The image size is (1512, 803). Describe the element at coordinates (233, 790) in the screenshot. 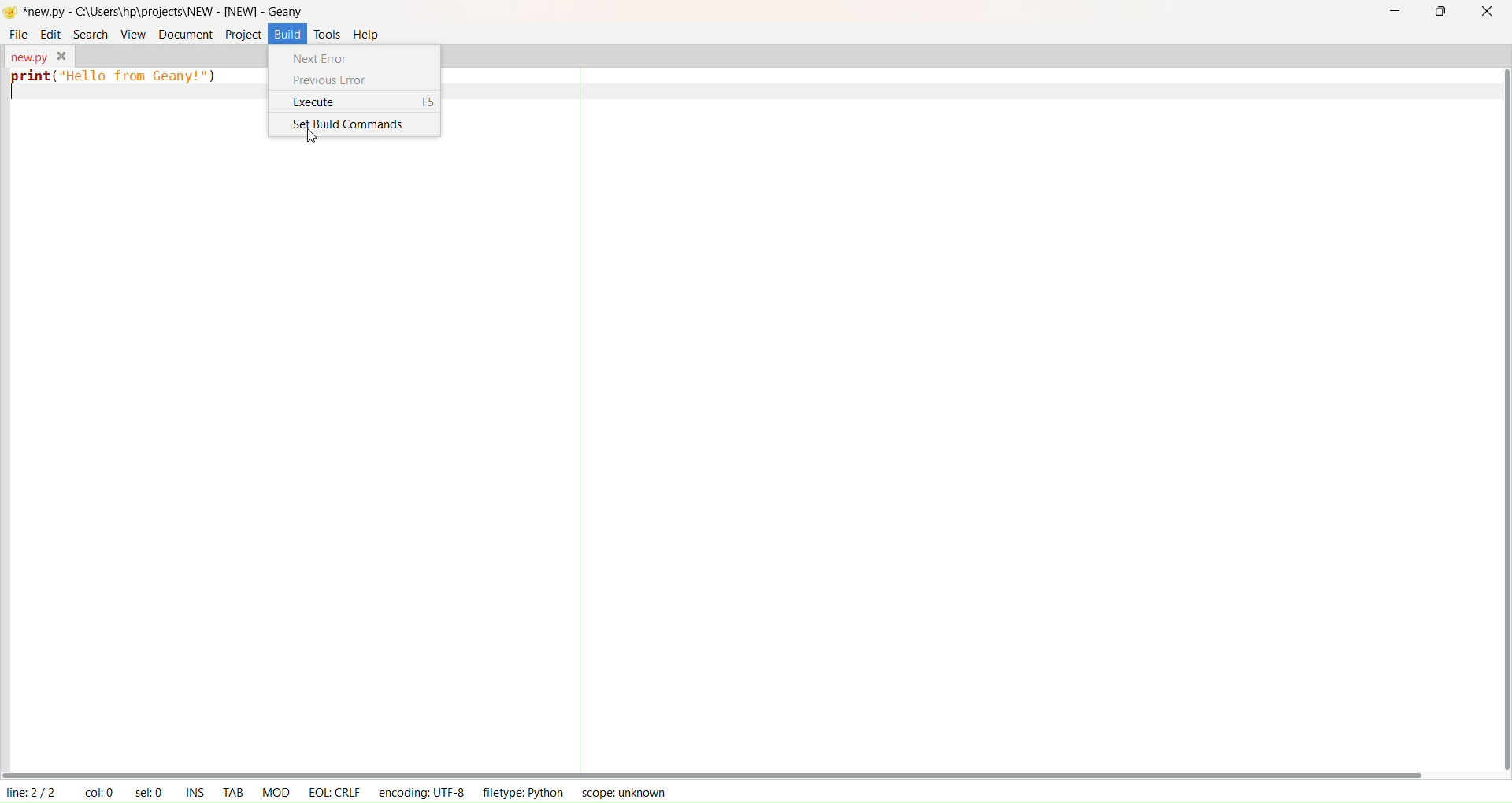

I see `TAB` at that location.